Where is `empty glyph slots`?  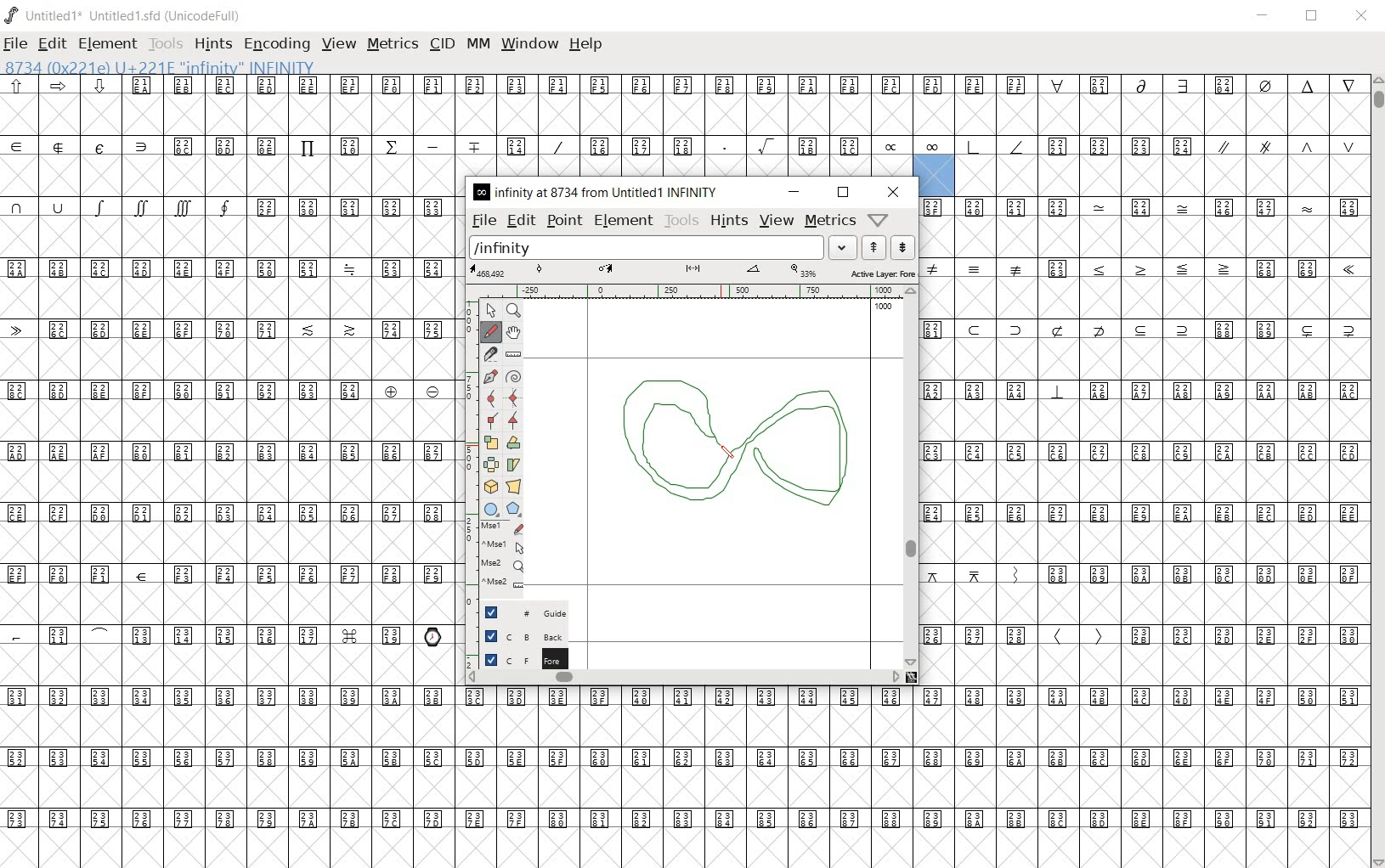
empty glyph slots is located at coordinates (227, 237).